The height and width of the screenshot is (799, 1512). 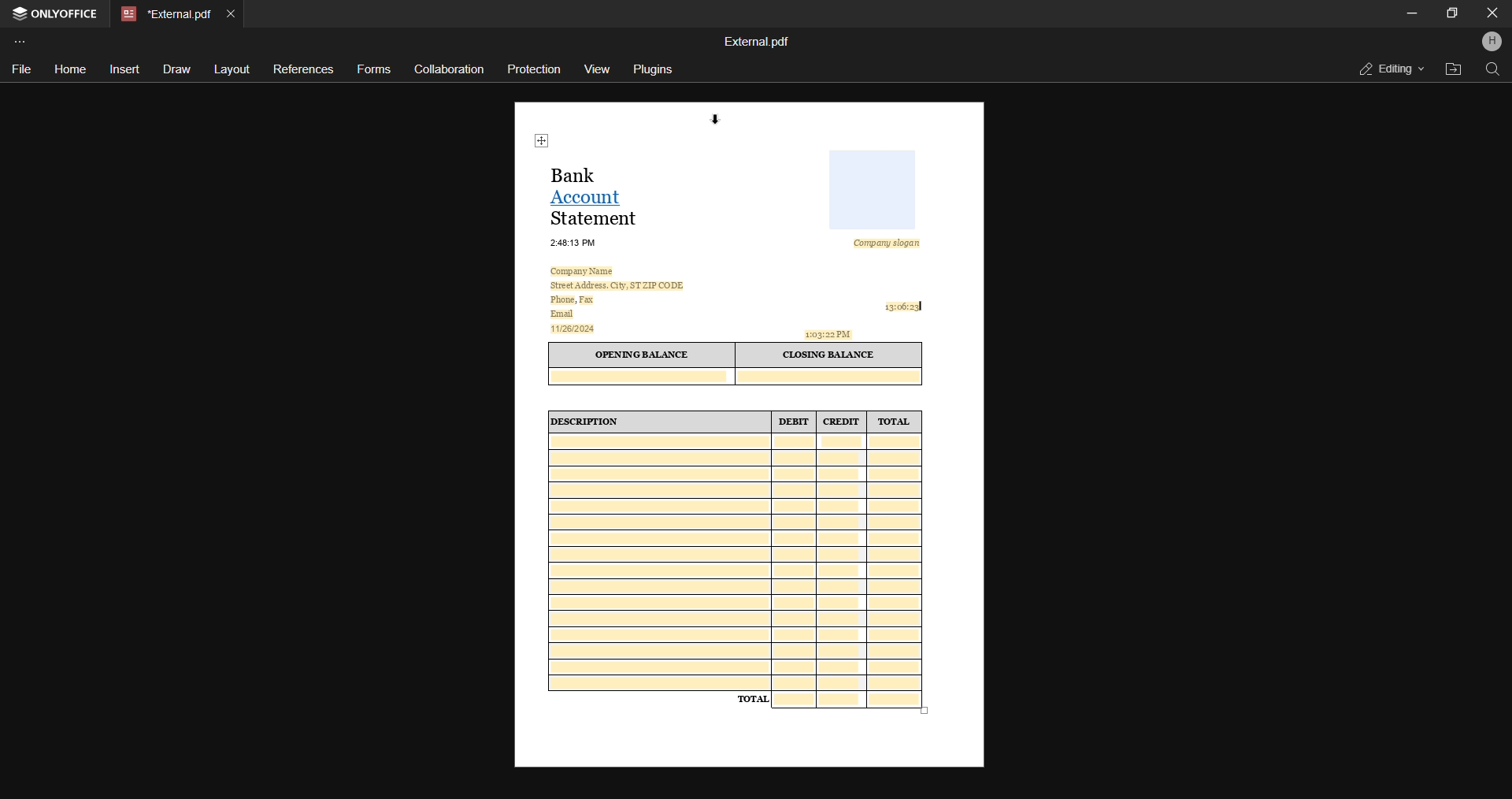 I want to click on layout, so click(x=231, y=70).